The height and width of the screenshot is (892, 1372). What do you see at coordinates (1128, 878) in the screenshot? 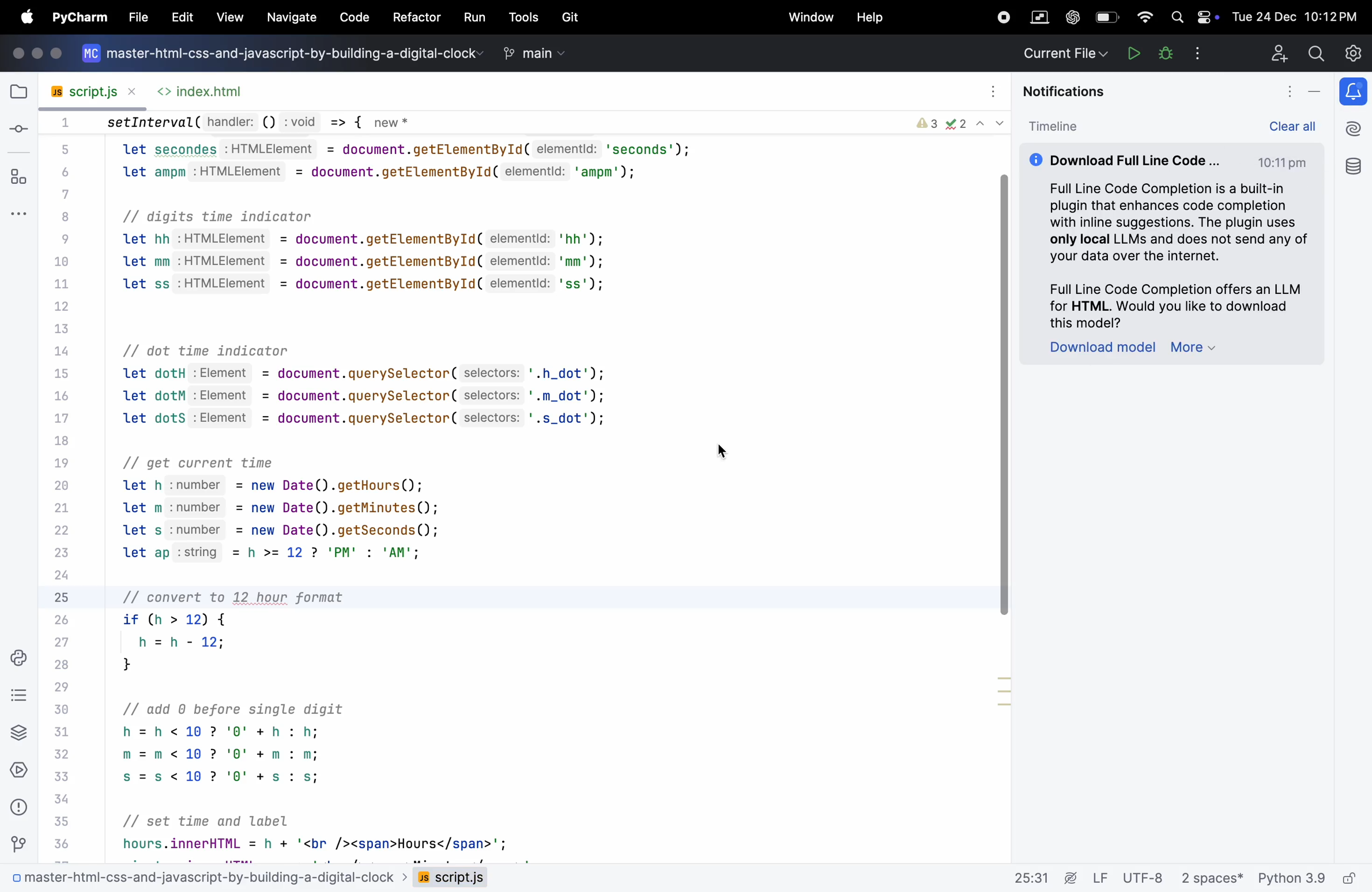
I see `Lf utf 8` at bounding box center [1128, 878].